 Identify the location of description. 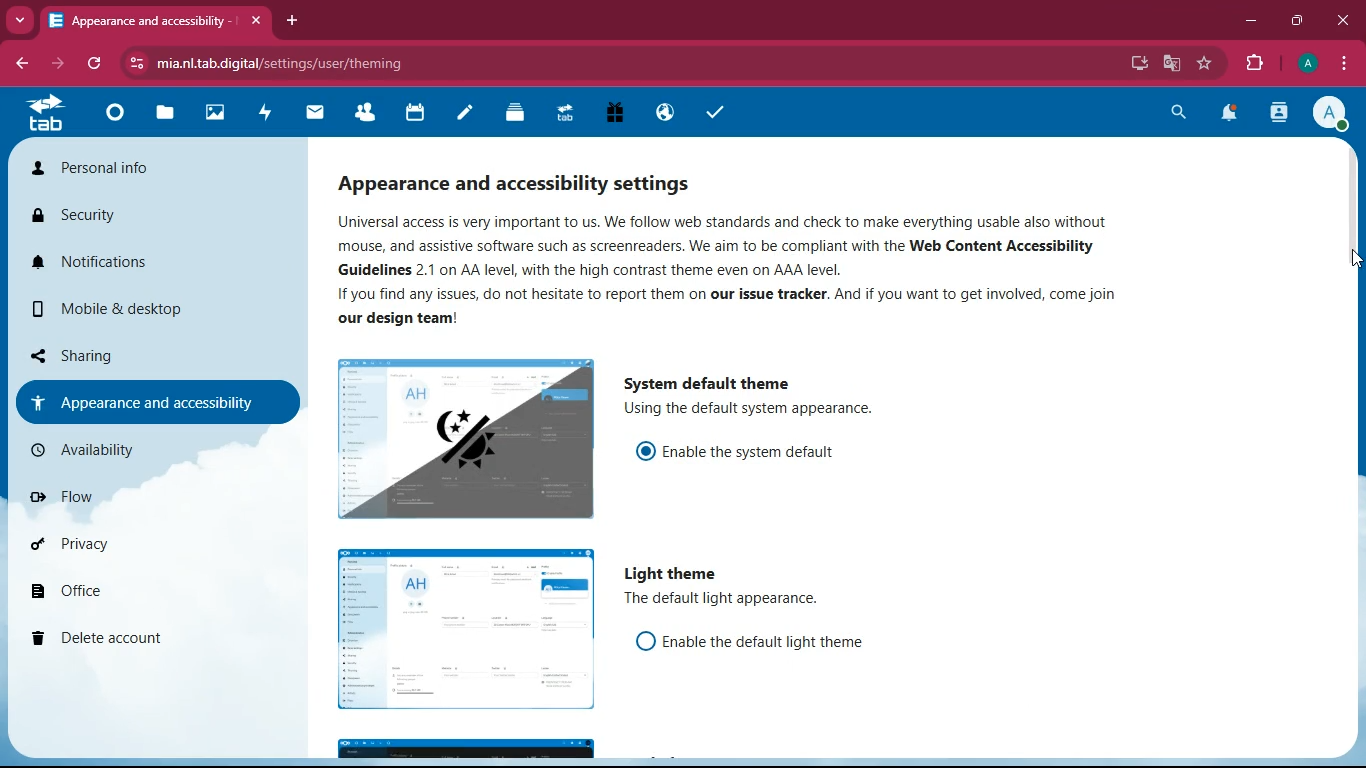
(753, 409).